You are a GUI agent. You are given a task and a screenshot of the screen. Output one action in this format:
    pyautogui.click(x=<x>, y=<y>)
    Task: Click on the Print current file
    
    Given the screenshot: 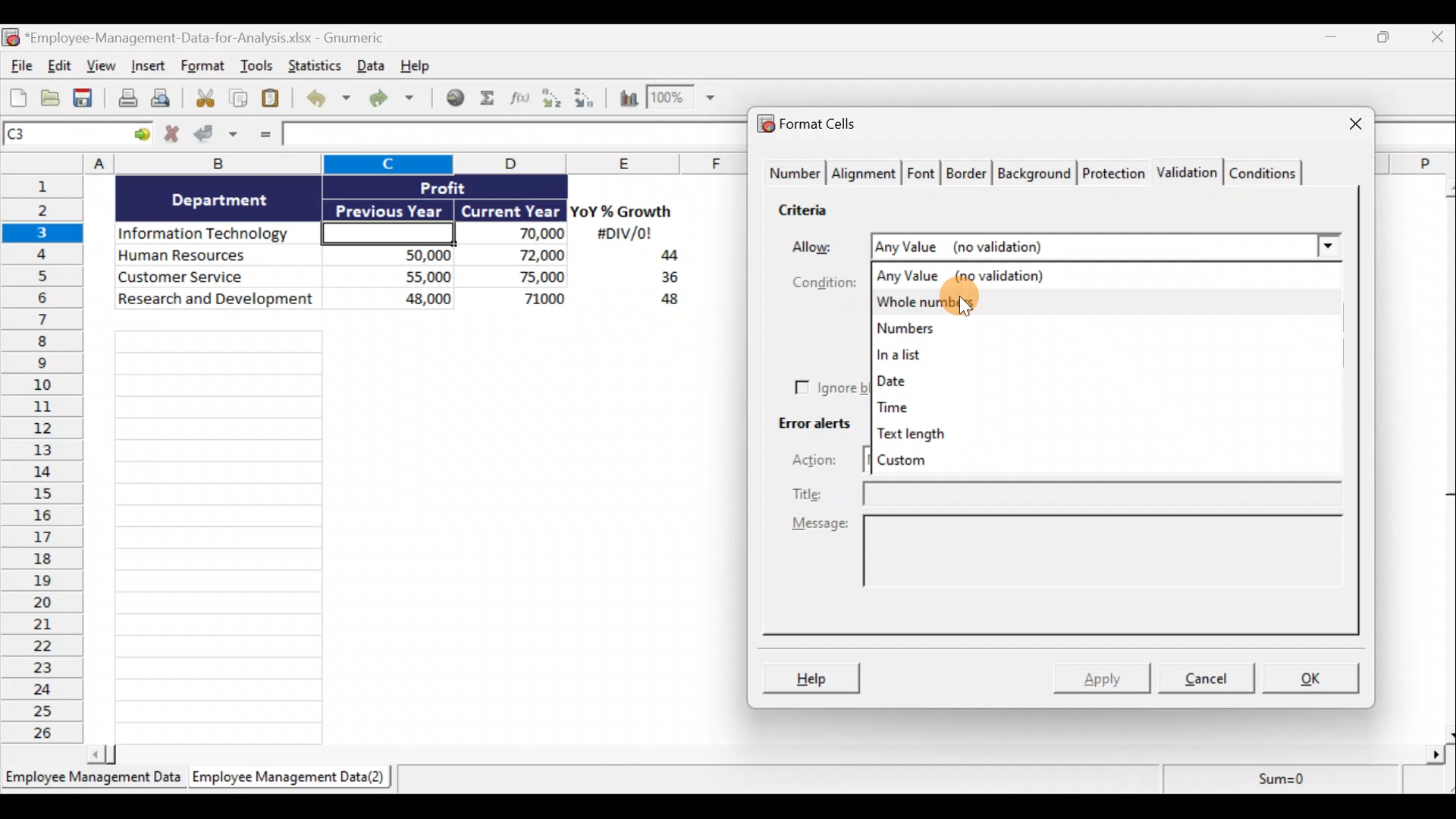 What is the action you would take?
    pyautogui.click(x=125, y=99)
    